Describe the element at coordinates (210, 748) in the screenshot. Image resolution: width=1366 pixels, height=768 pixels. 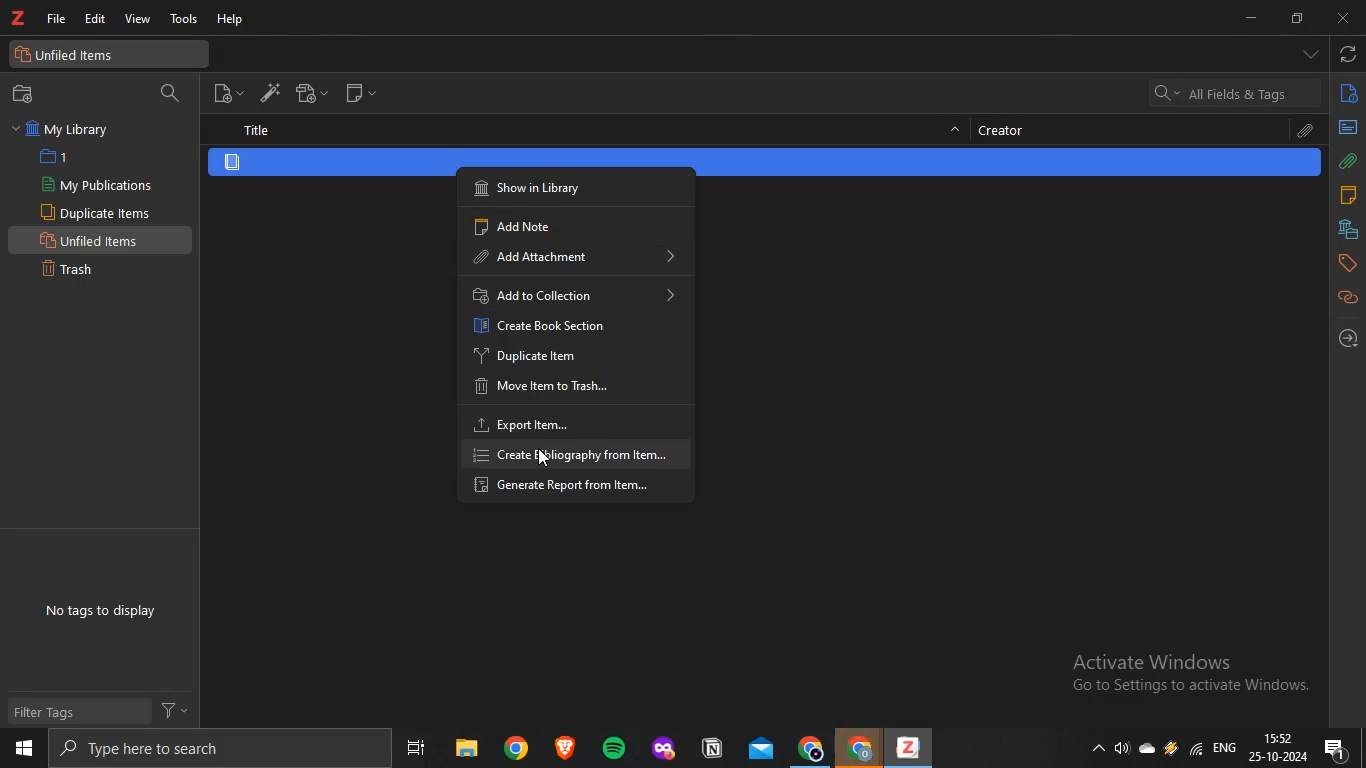
I see `search` at that location.